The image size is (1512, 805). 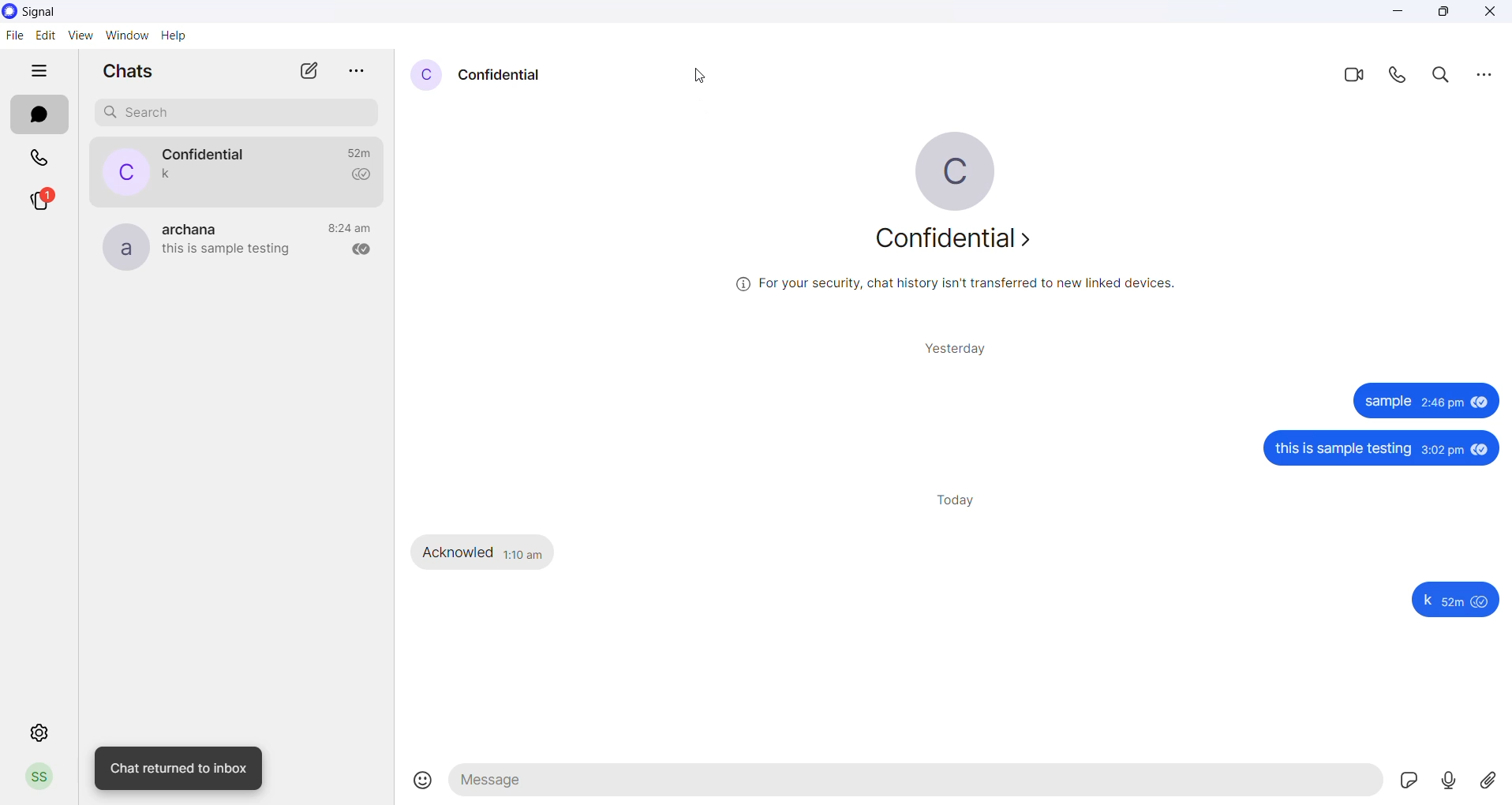 What do you see at coordinates (41, 731) in the screenshot?
I see `settings` at bounding box center [41, 731].